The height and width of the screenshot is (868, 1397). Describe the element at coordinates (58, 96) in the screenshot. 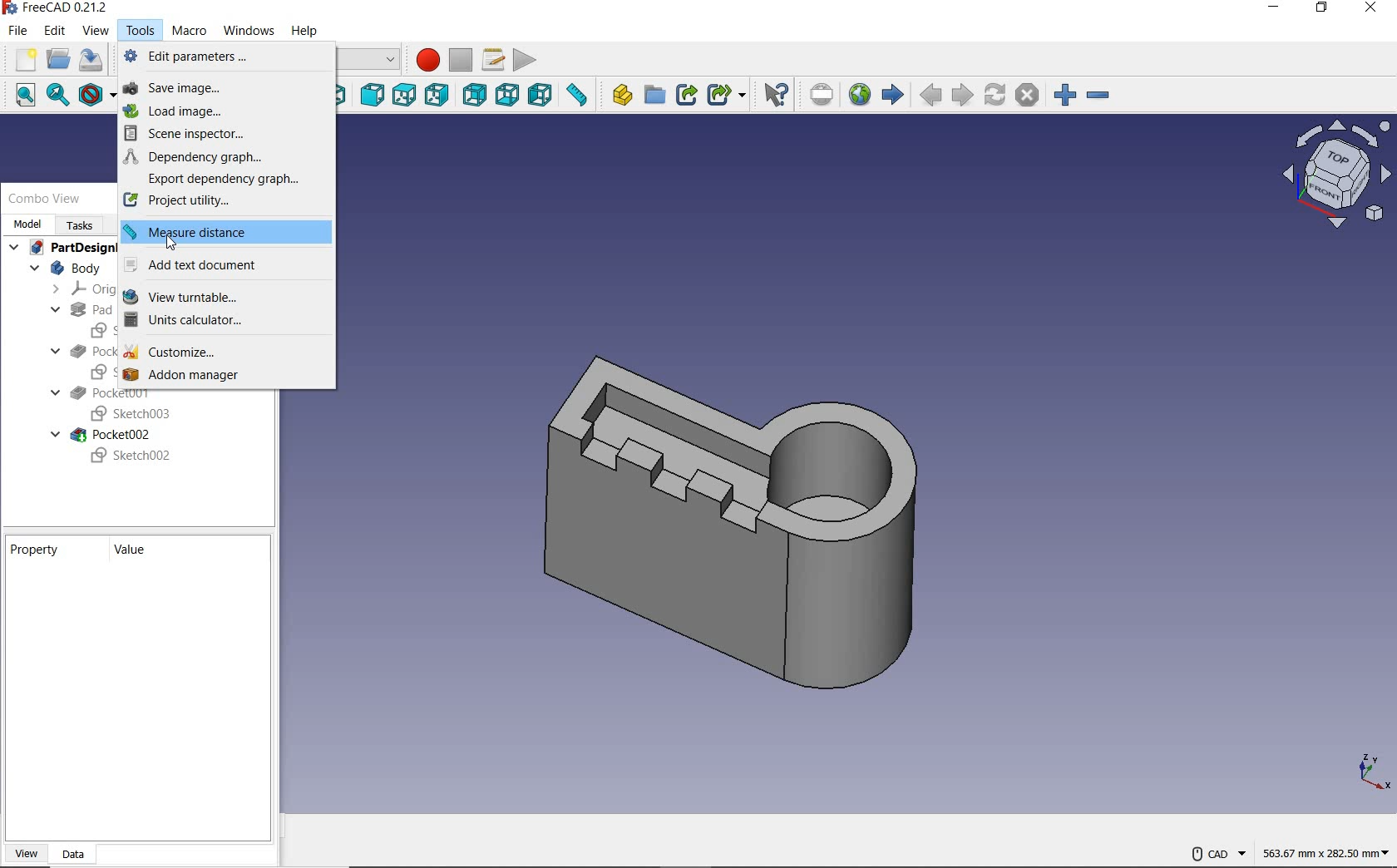

I see `fit selection` at that location.